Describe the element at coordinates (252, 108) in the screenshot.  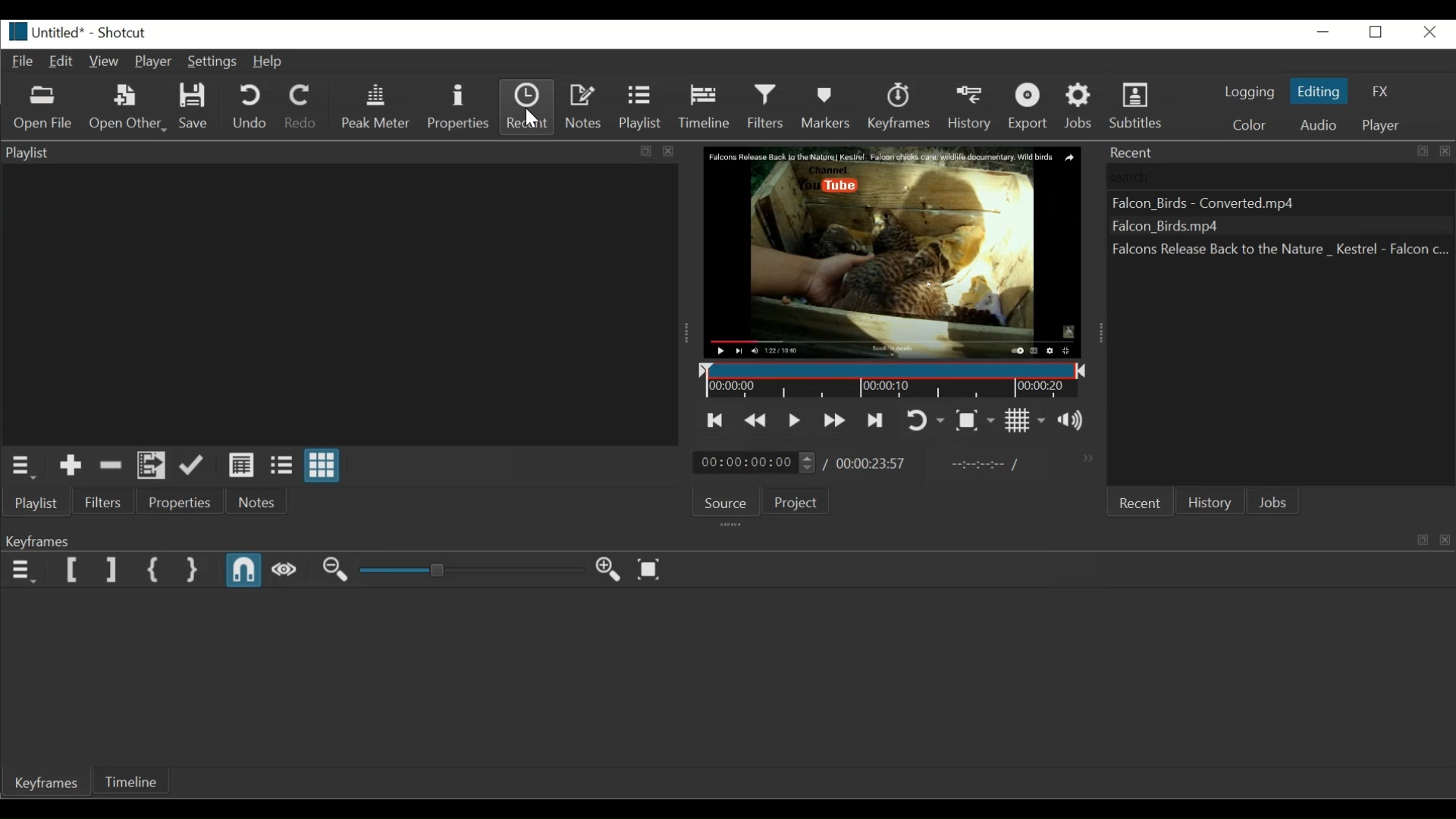
I see `Undo` at that location.